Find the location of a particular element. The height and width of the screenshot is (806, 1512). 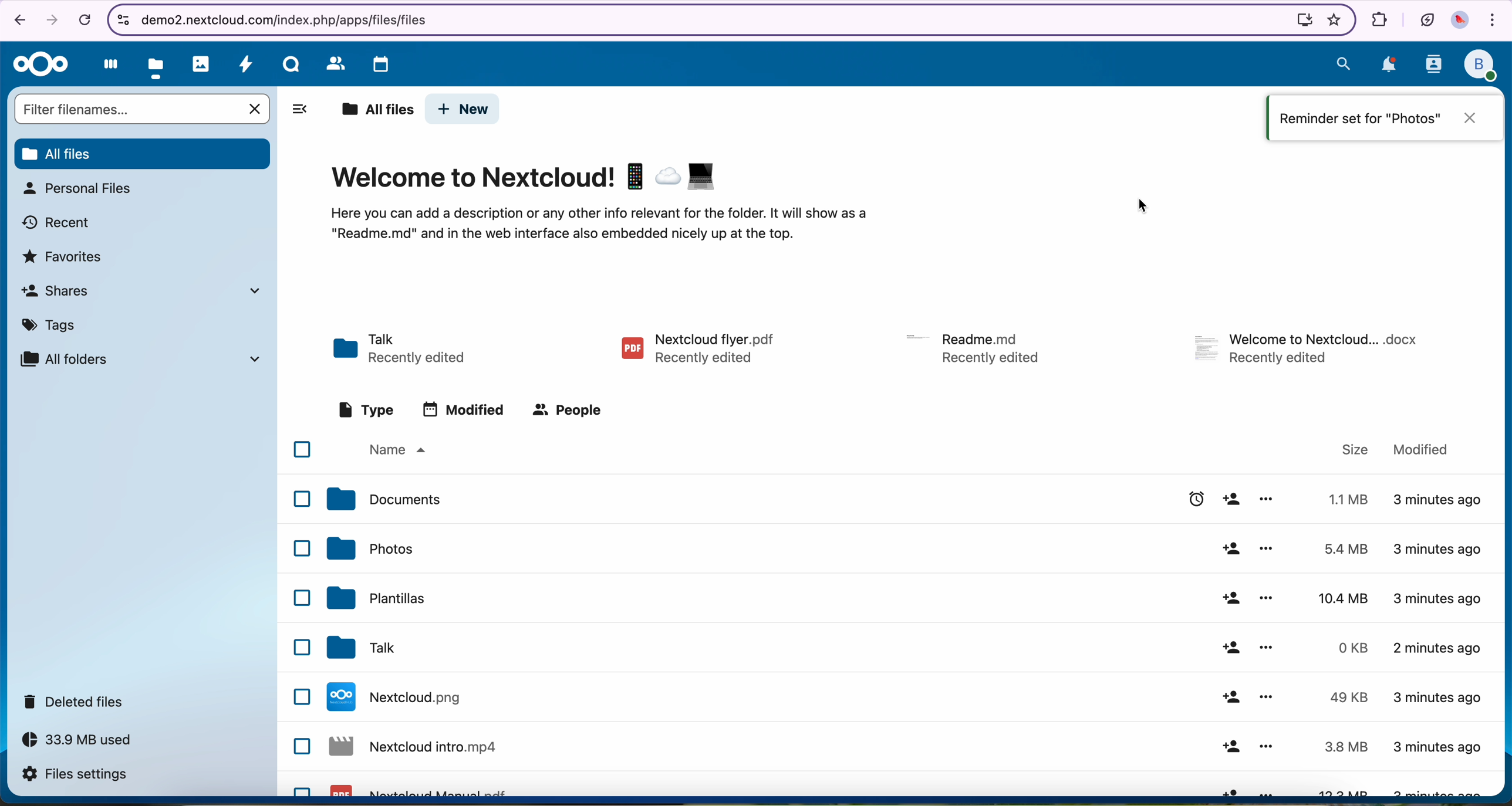

customize and control Google Chrome is located at coordinates (1494, 22).